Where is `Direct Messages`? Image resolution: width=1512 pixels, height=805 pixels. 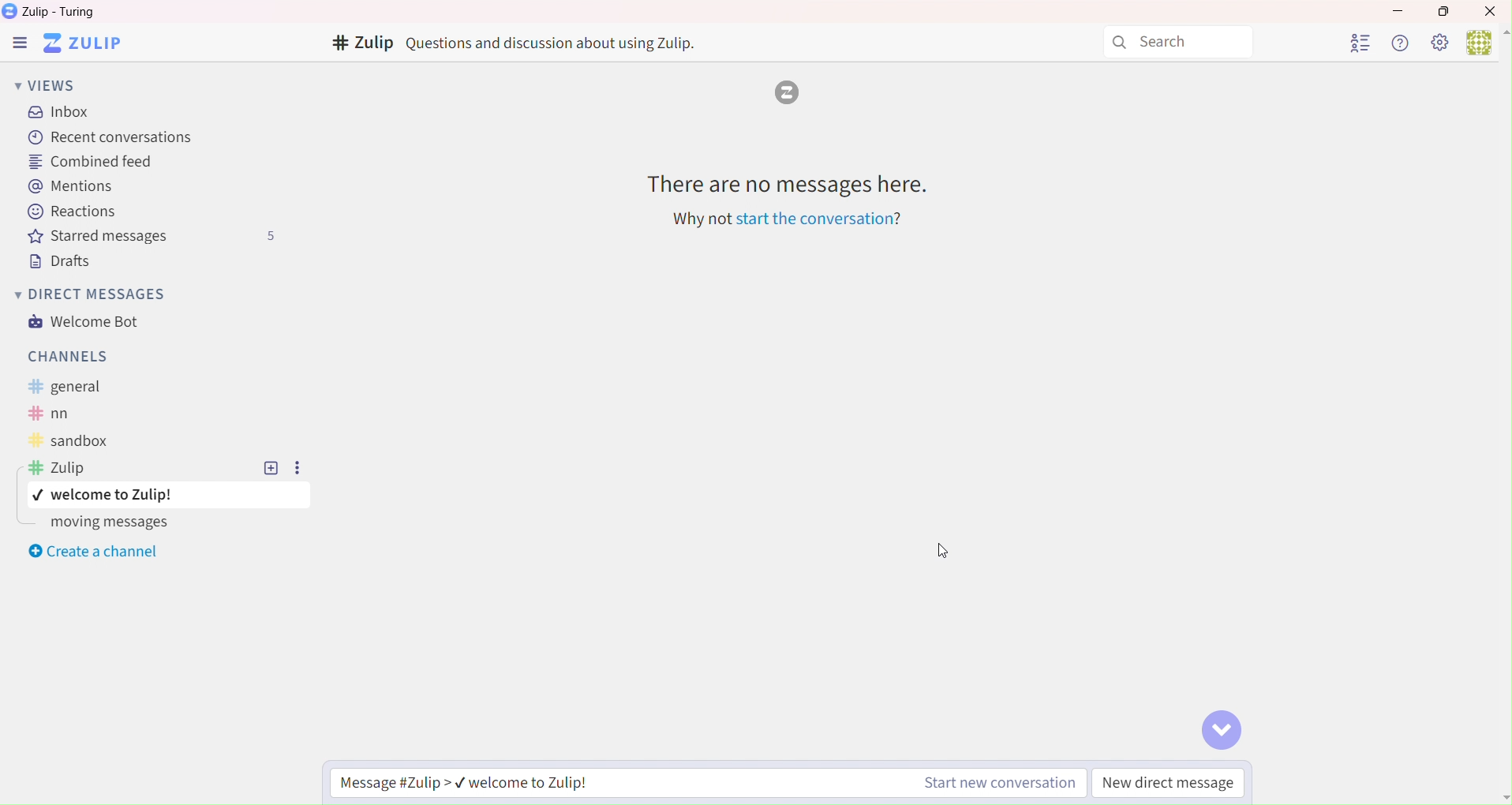 Direct Messages is located at coordinates (87, 294).